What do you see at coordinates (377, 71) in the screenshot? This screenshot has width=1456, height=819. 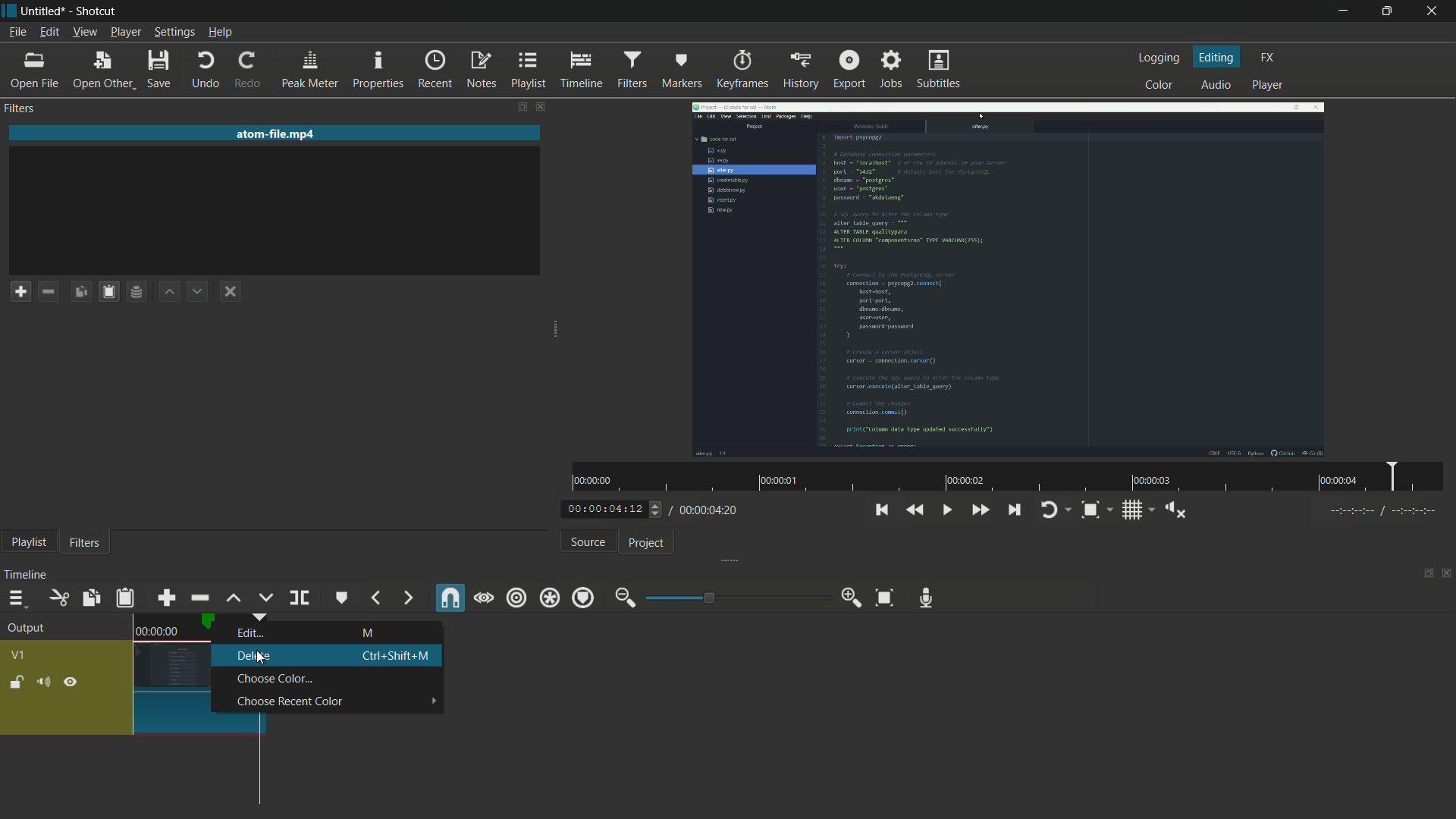 I see `properties` at bounding box center [377, 71].